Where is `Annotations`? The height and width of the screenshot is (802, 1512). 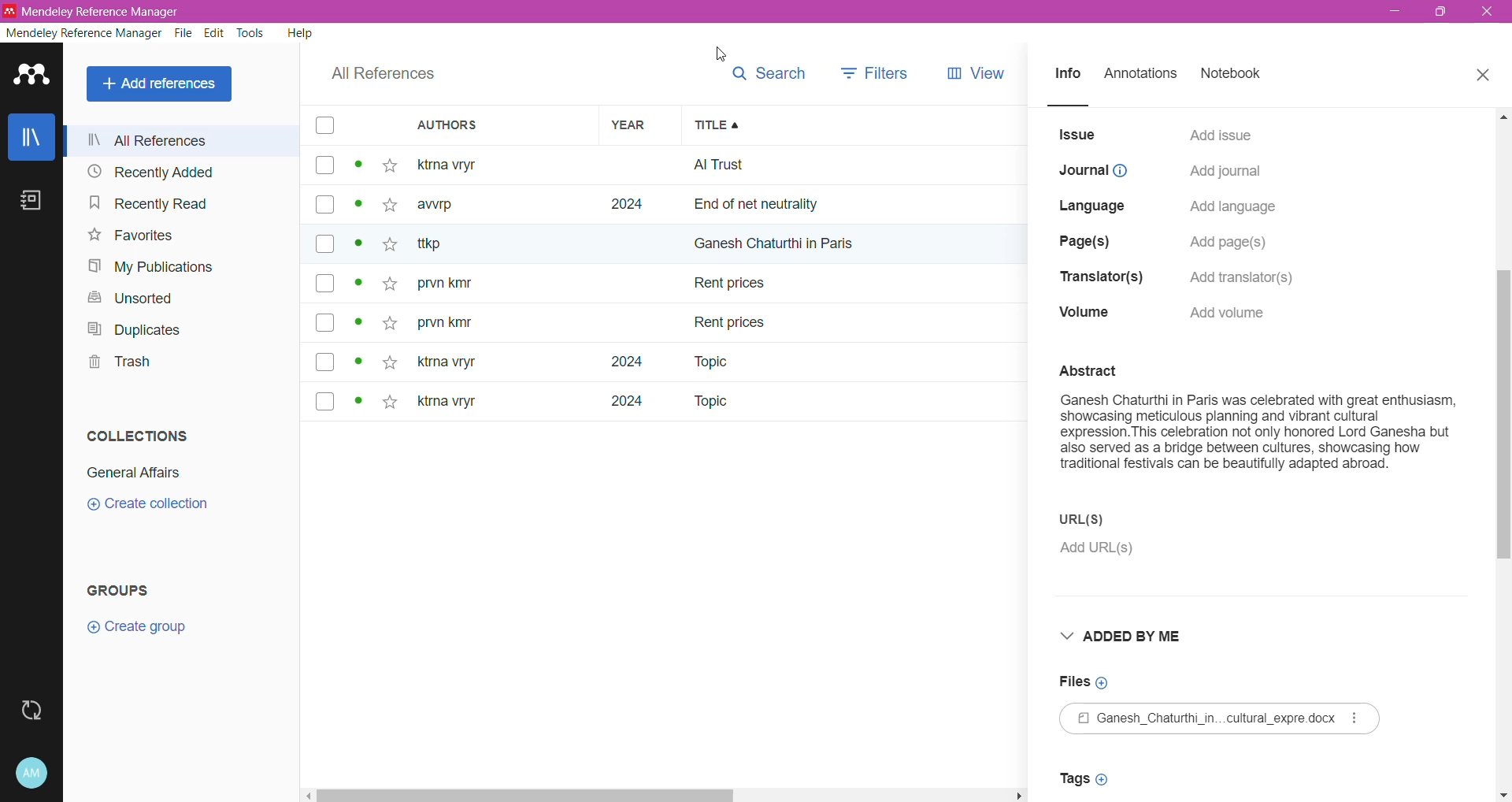 Annotations is located at coordinates (1145, 75).